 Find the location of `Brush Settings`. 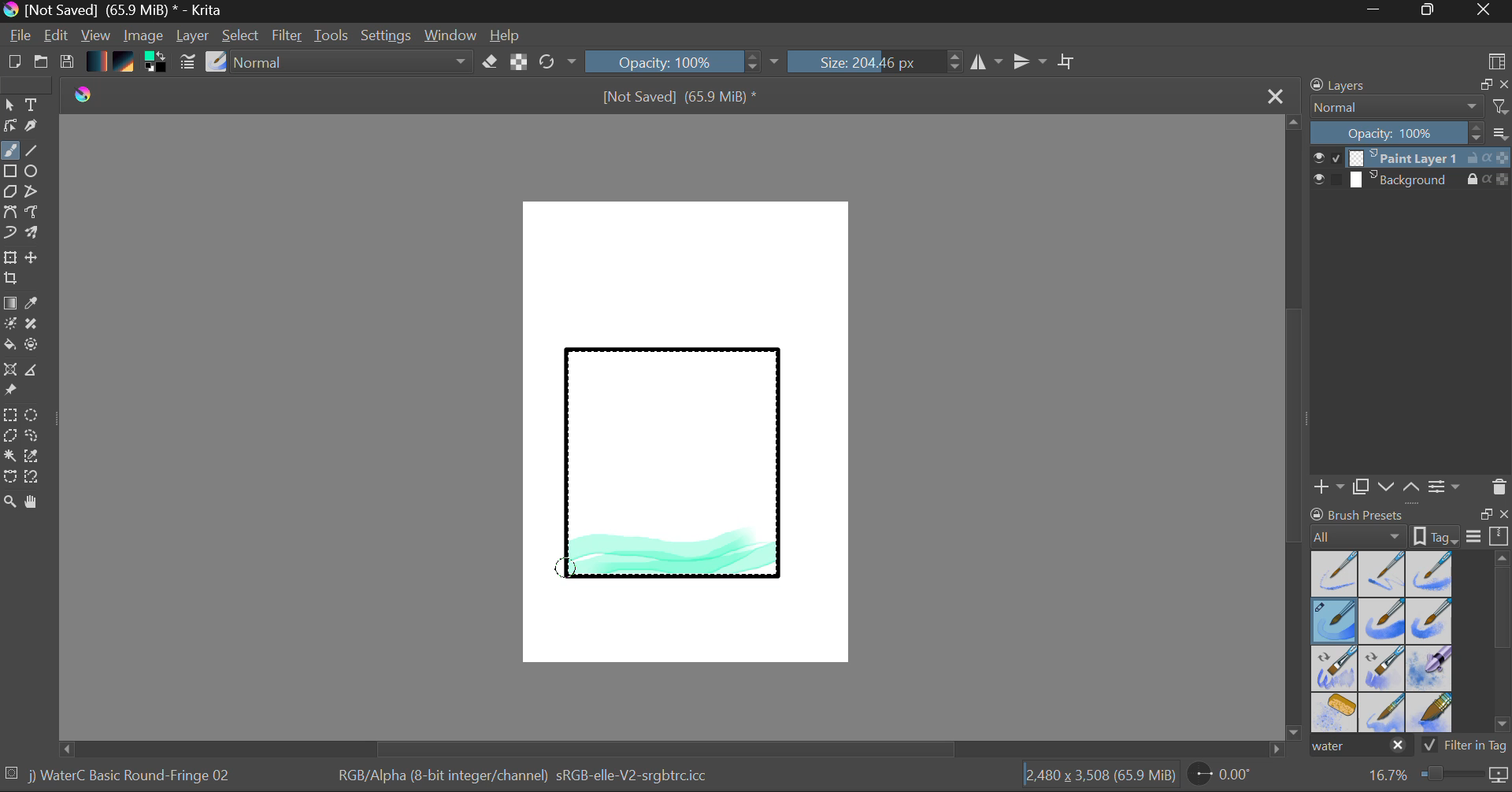

Brush Settings is located at coordinates (186, 63).